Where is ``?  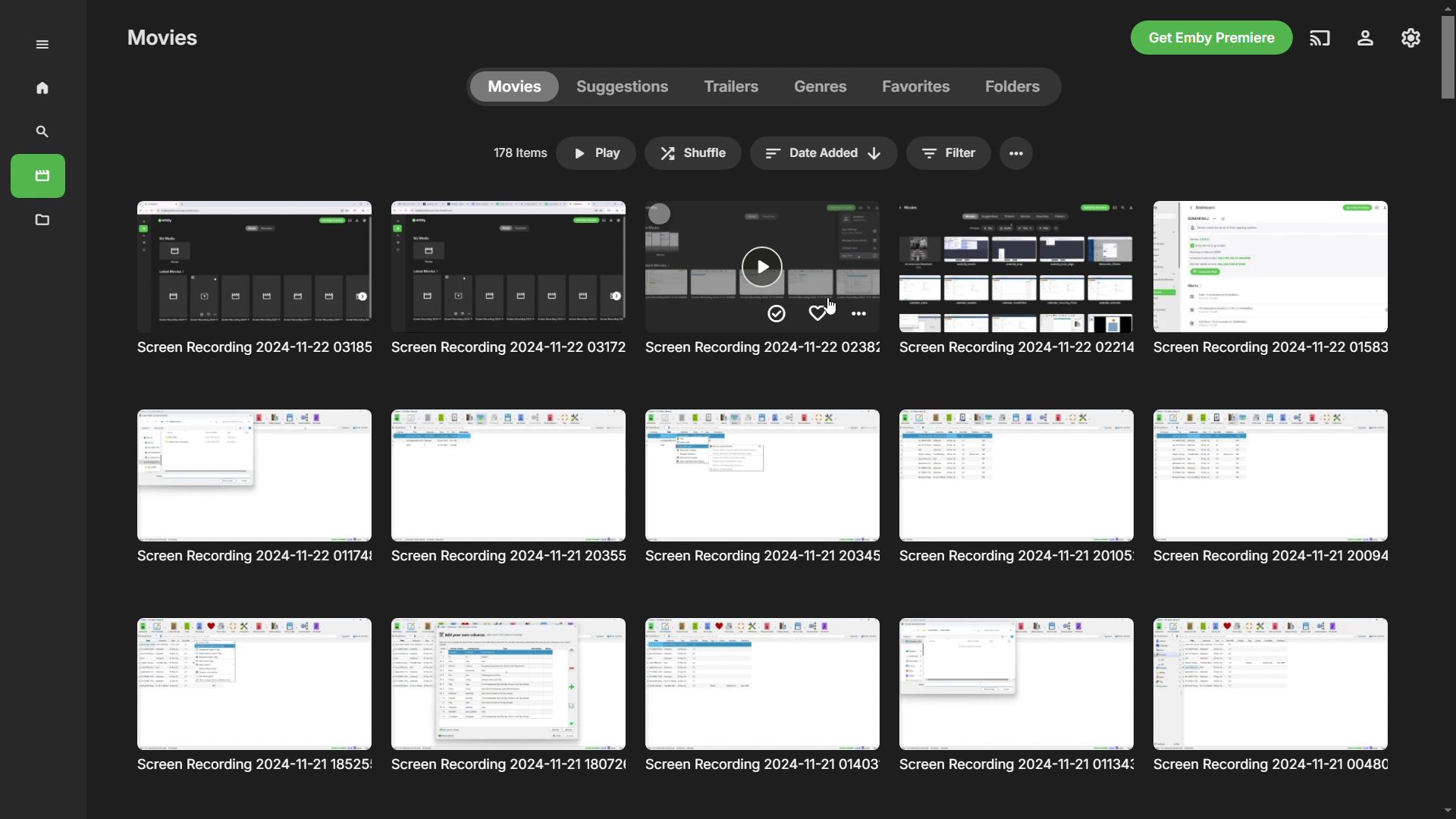
 is located at coordinates (1274, 695).